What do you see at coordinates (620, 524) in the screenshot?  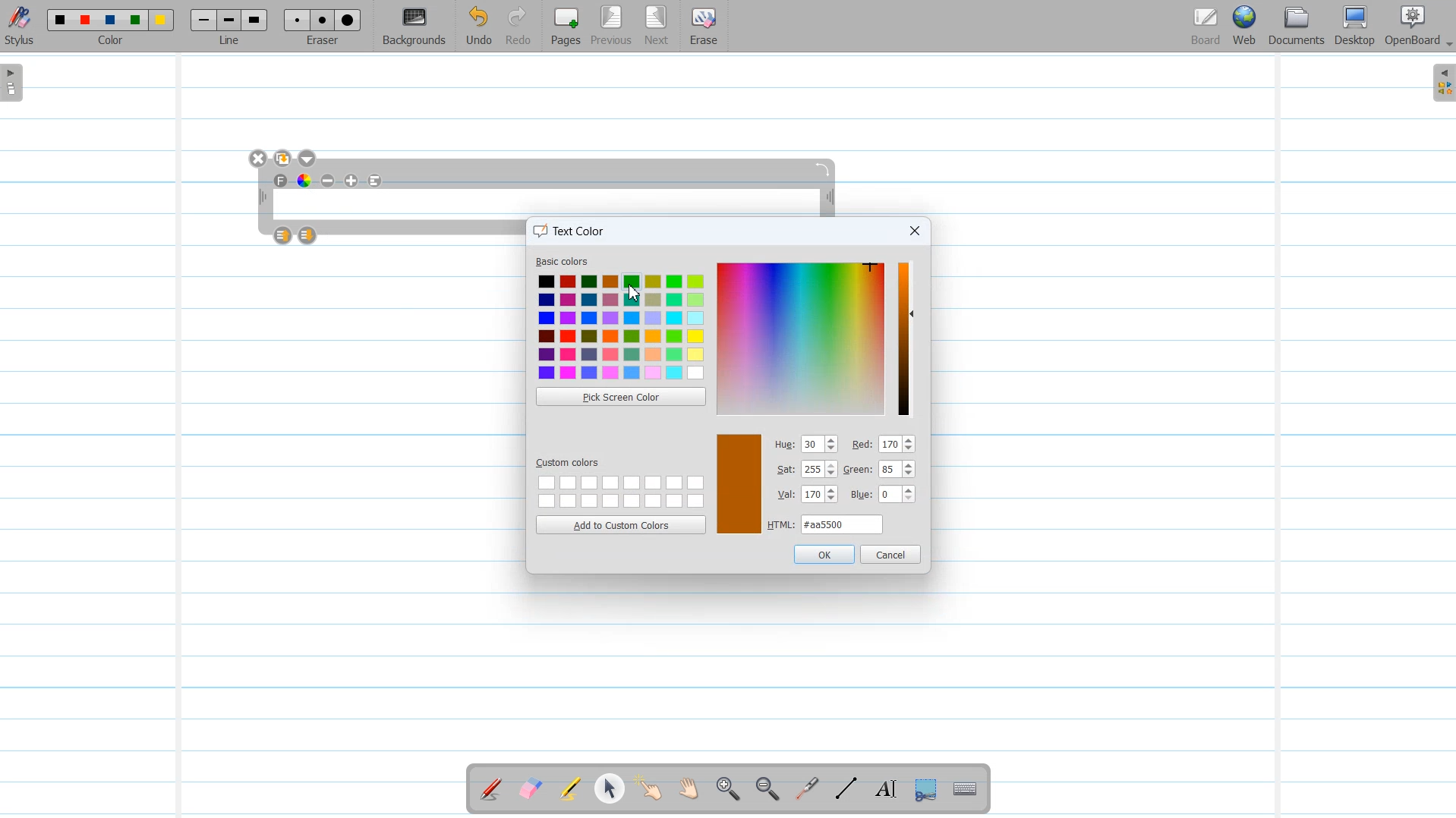 I see `Add to custom colors` at bounding box center [620, 524].